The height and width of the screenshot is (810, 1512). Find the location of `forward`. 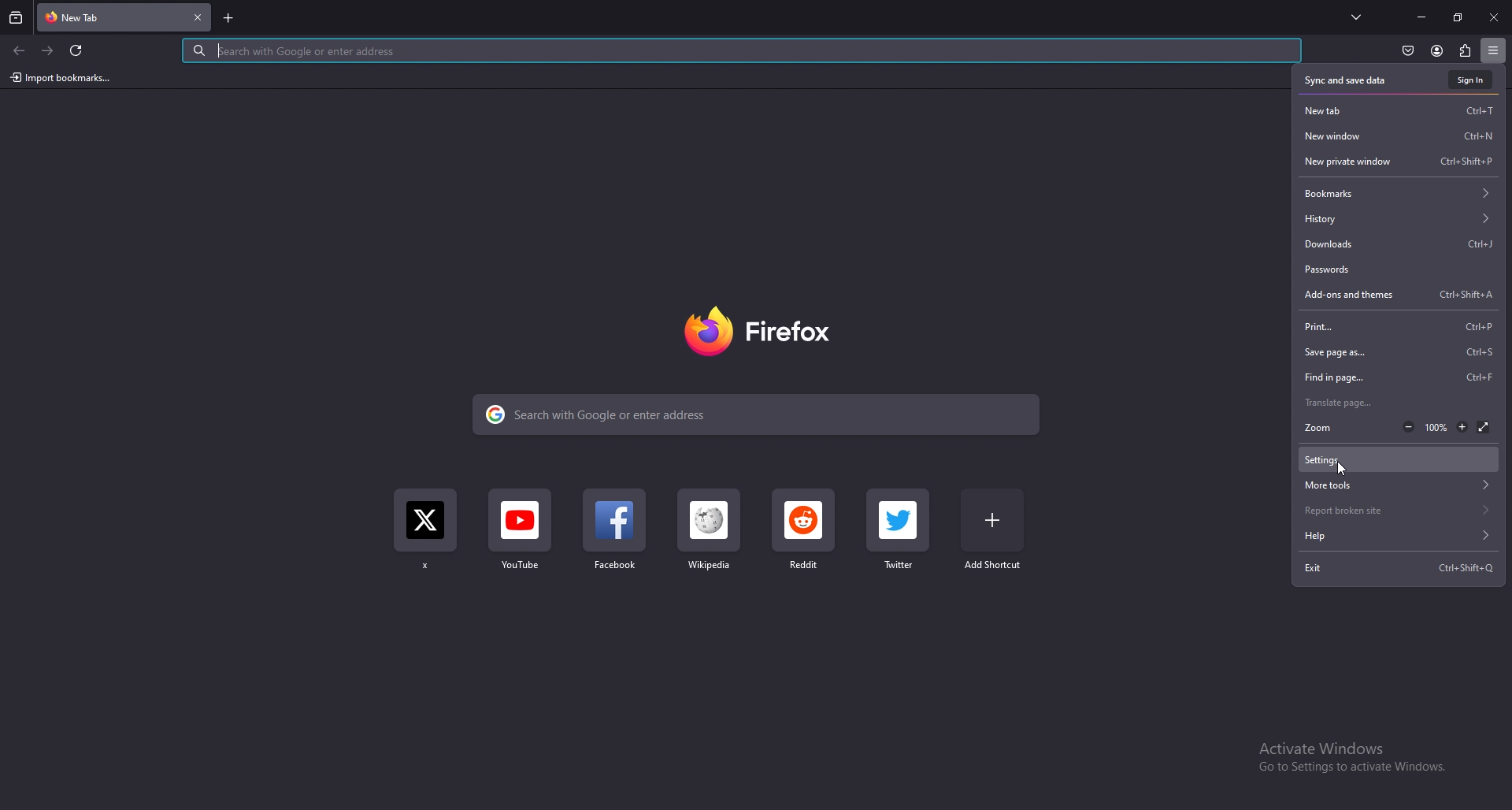

forward is located at coordinates (49, 51).